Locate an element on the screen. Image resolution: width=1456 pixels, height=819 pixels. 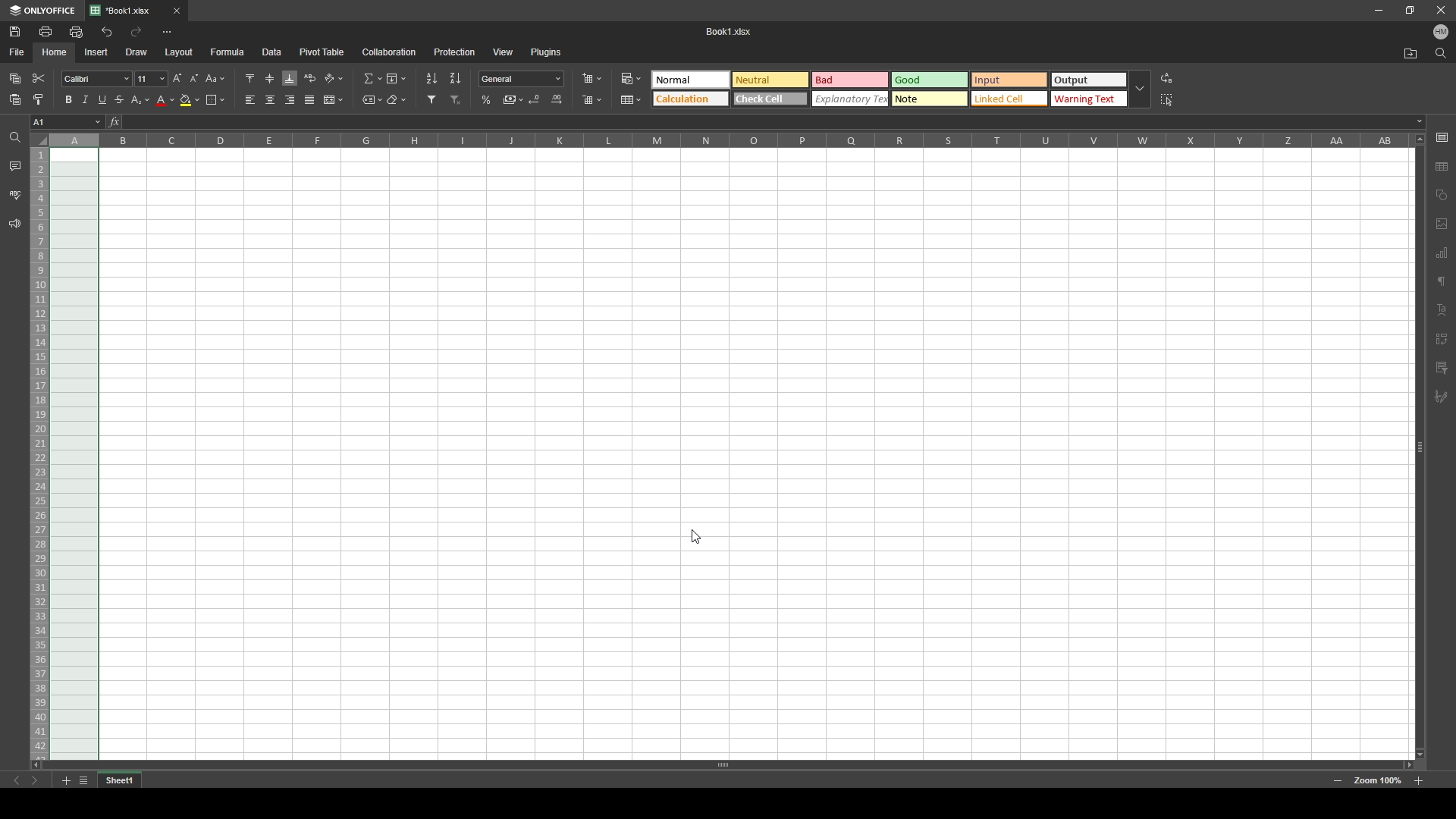
font style is located at coordinates (96, 80).